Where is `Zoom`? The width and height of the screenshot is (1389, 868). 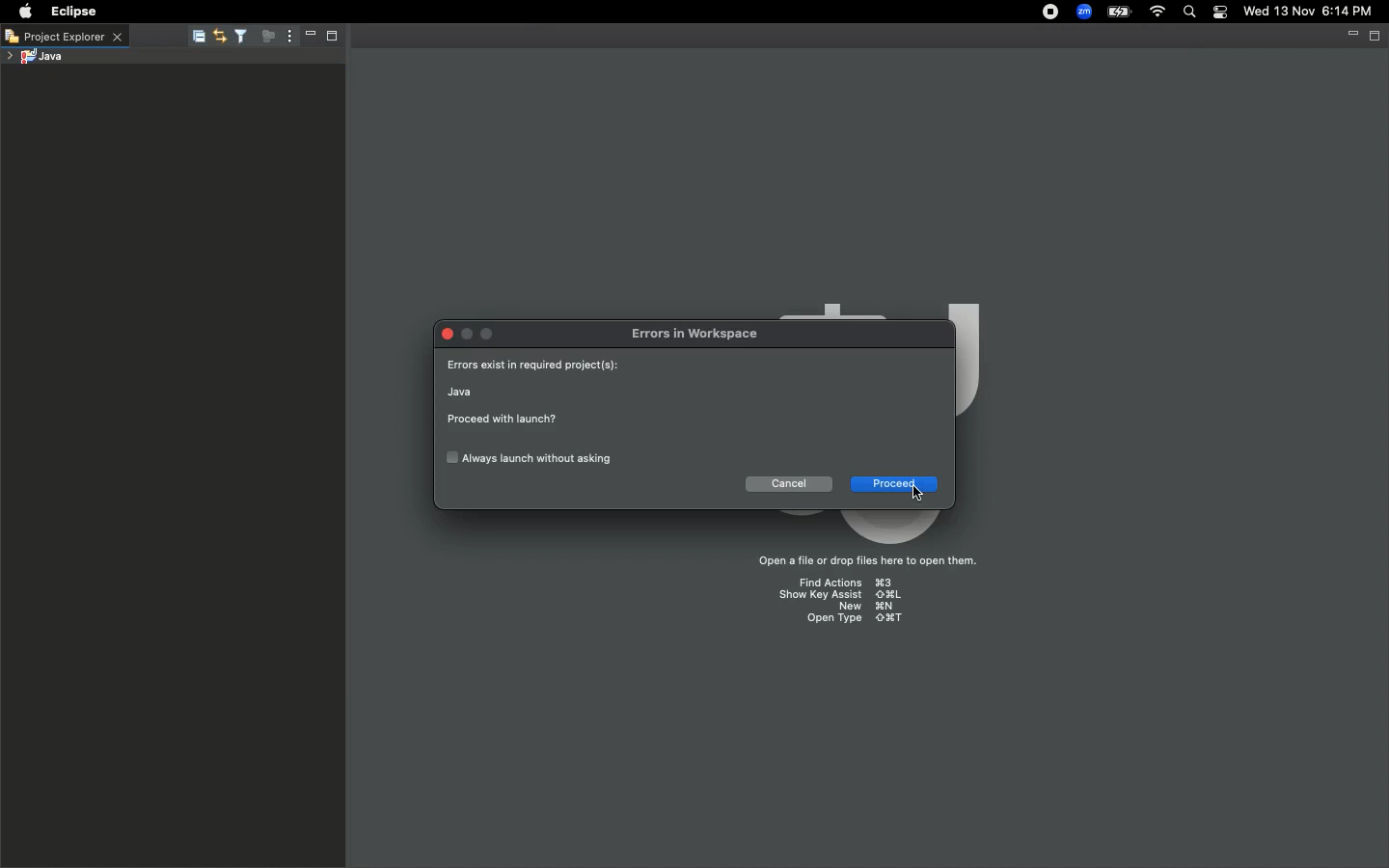
Zoom is located at coordinates (1081, 14).